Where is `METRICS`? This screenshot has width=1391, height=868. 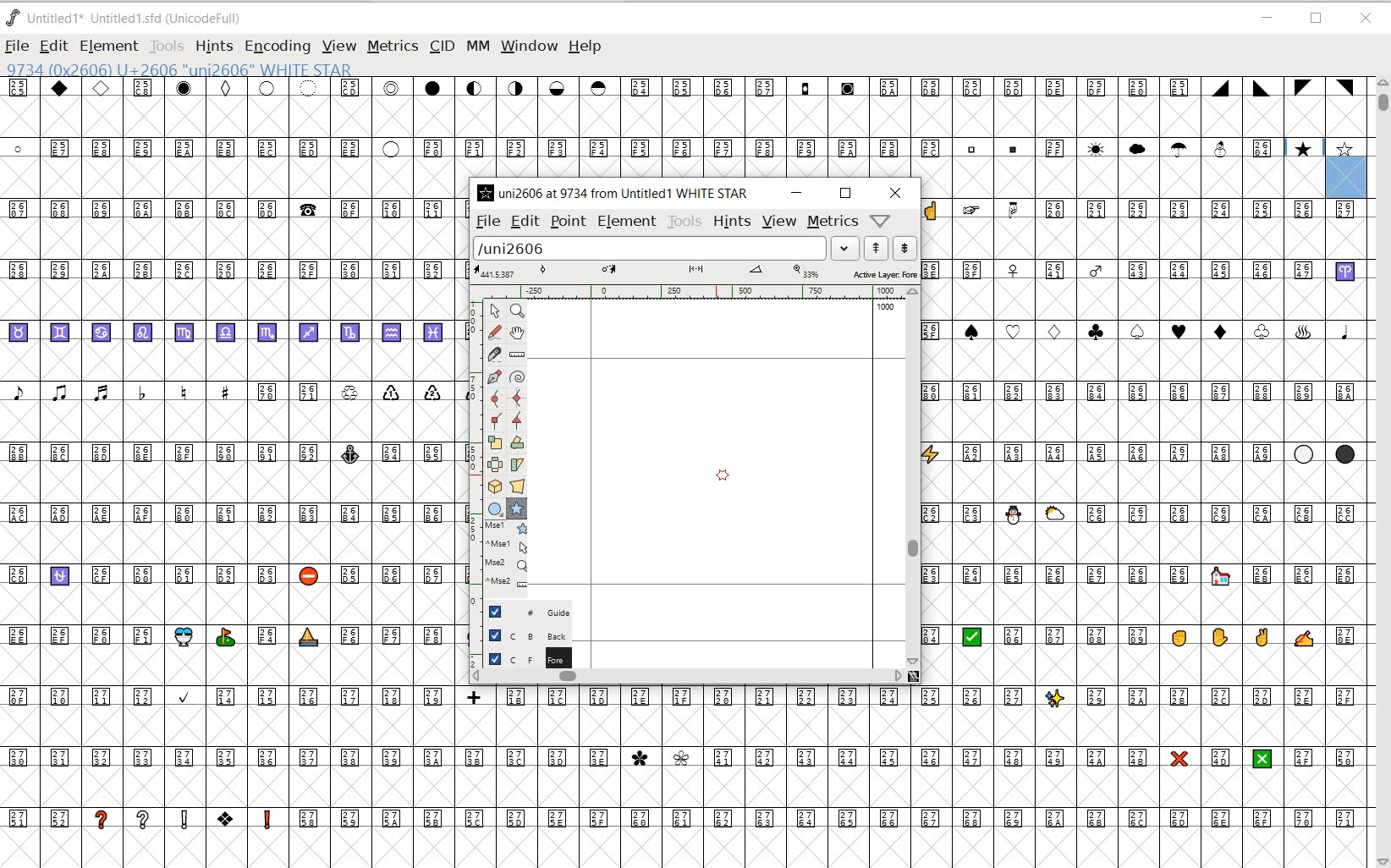 METRICS is located at coordinates (392, 46).